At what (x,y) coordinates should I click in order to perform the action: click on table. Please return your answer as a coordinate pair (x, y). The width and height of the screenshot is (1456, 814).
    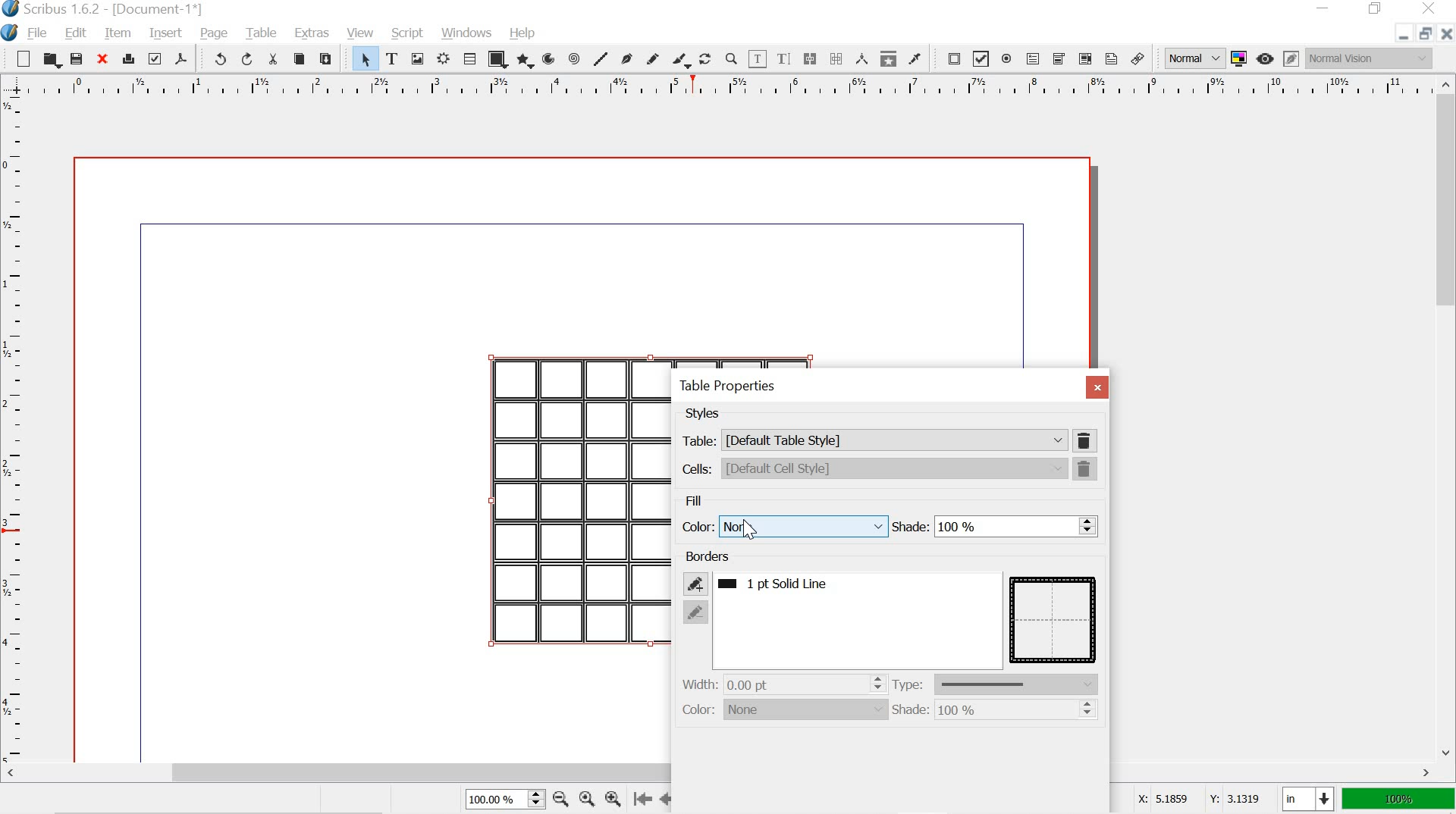
    Looking at the image, I should click on (472, 58).